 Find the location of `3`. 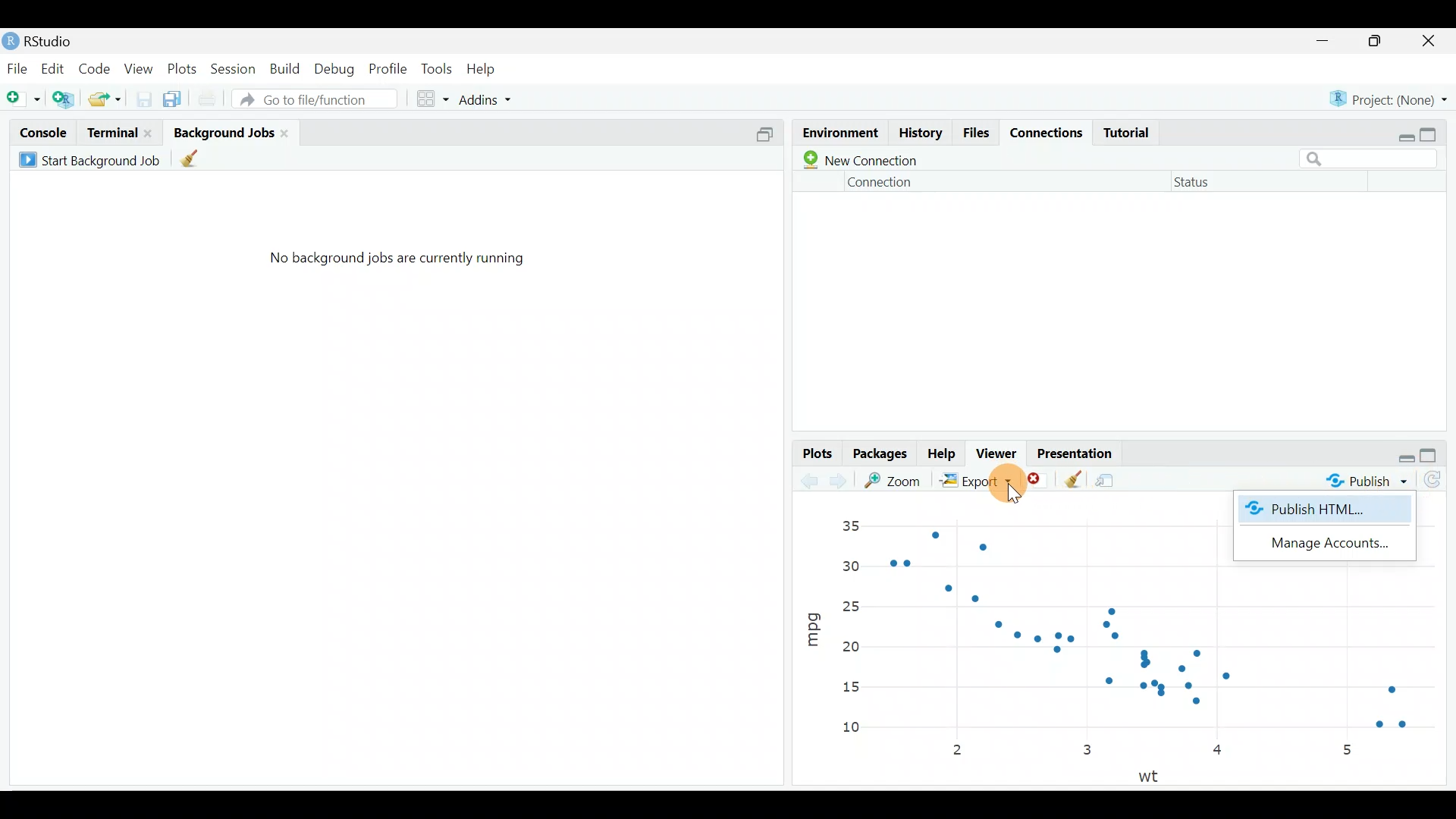

3 is located at coordinates (1086, 748).